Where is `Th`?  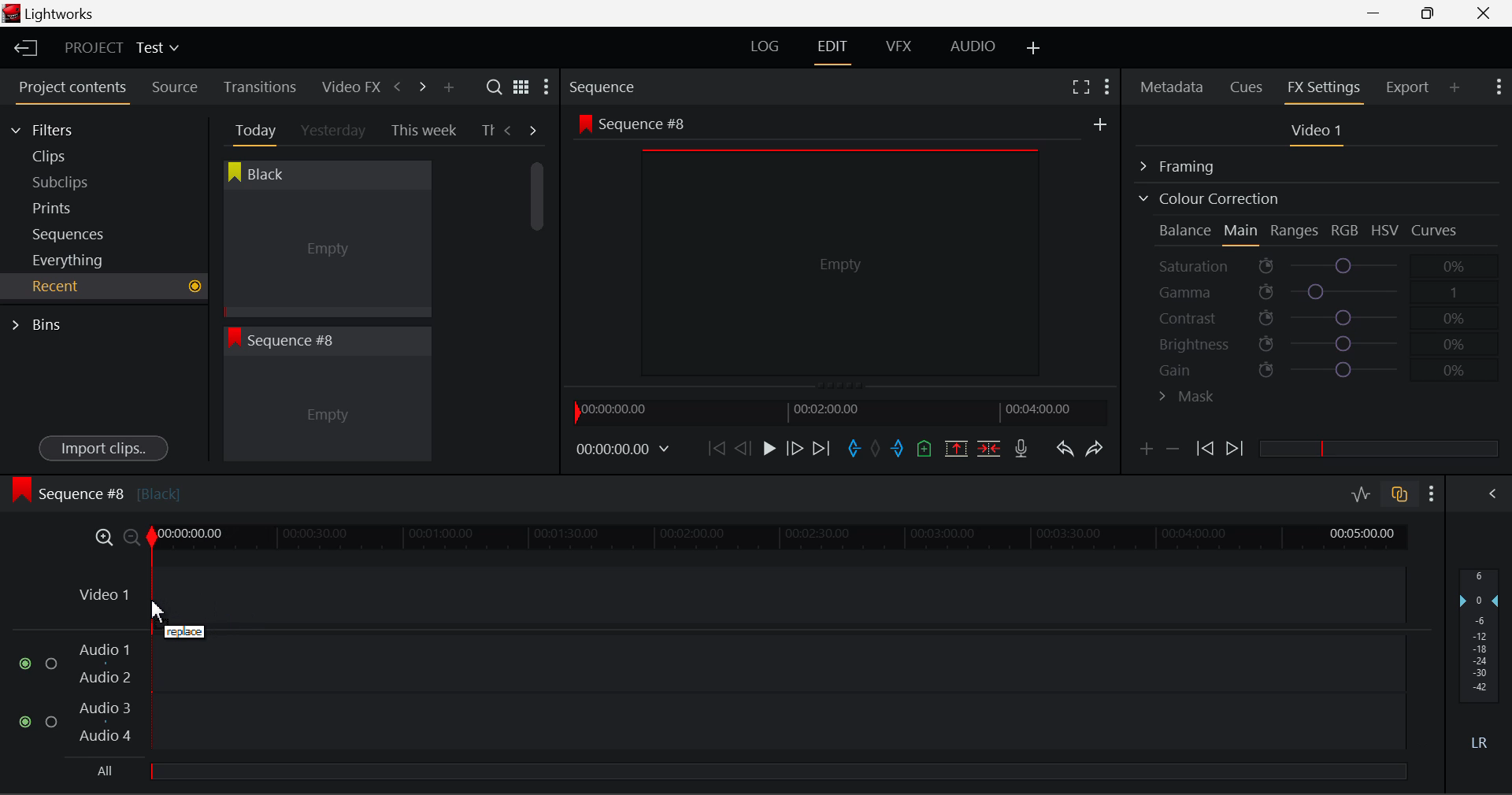
Th is located at coordinates (484, 131).